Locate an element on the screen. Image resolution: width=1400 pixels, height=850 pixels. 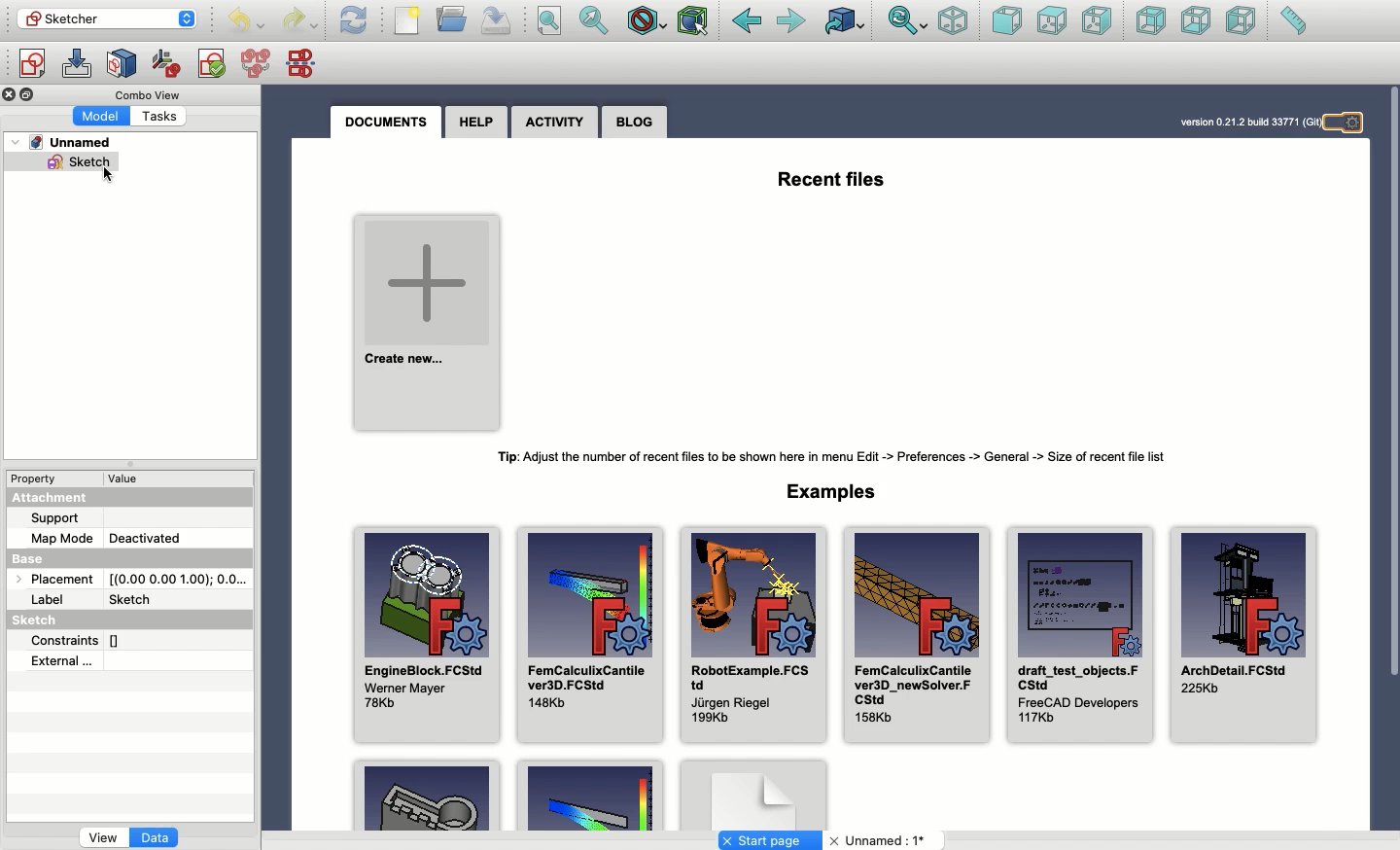
Unnamed is located at coordinates (69, 143).